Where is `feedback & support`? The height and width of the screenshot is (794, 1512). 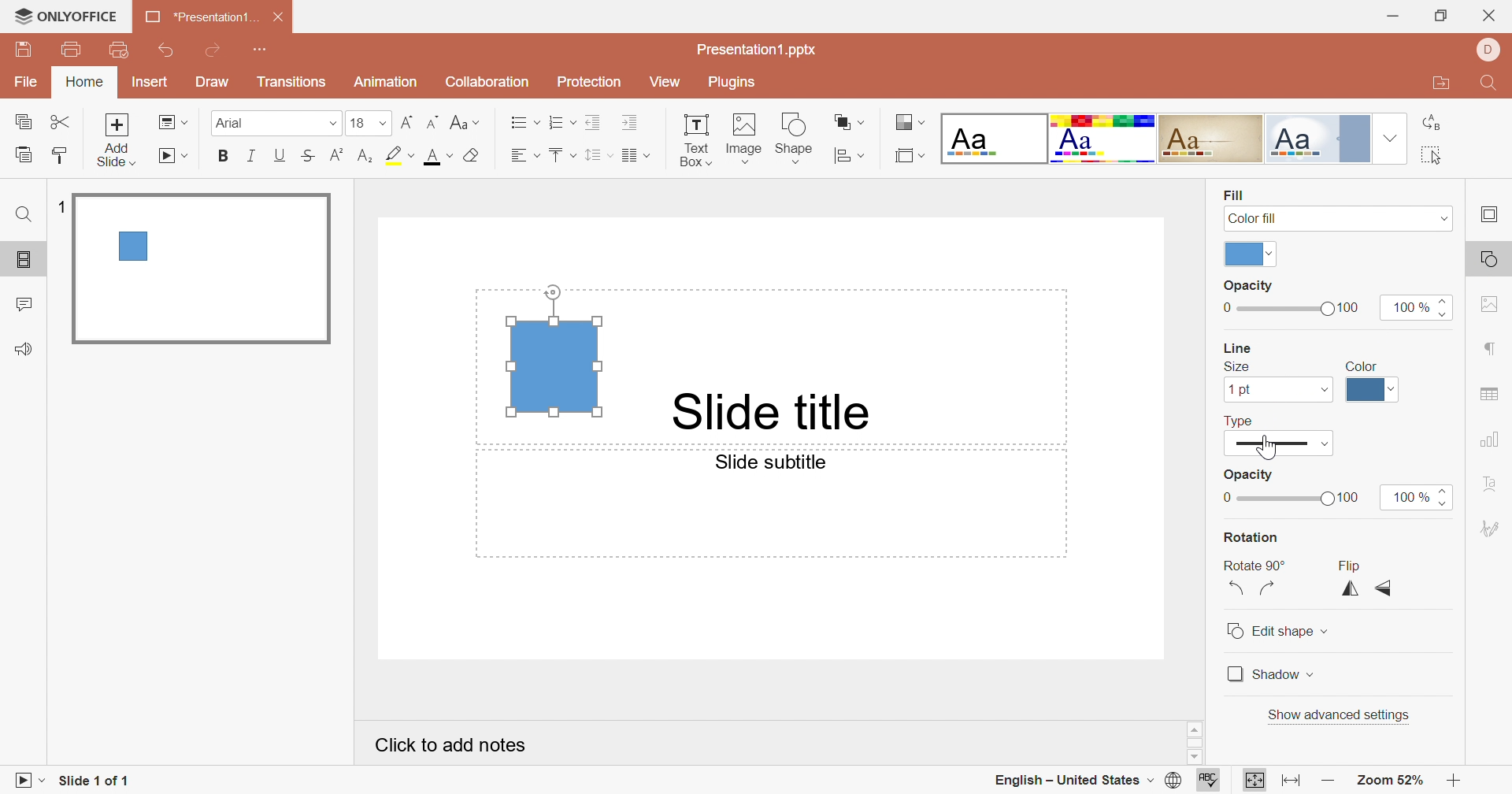
feedback & support is located at coordinates (23, 348).